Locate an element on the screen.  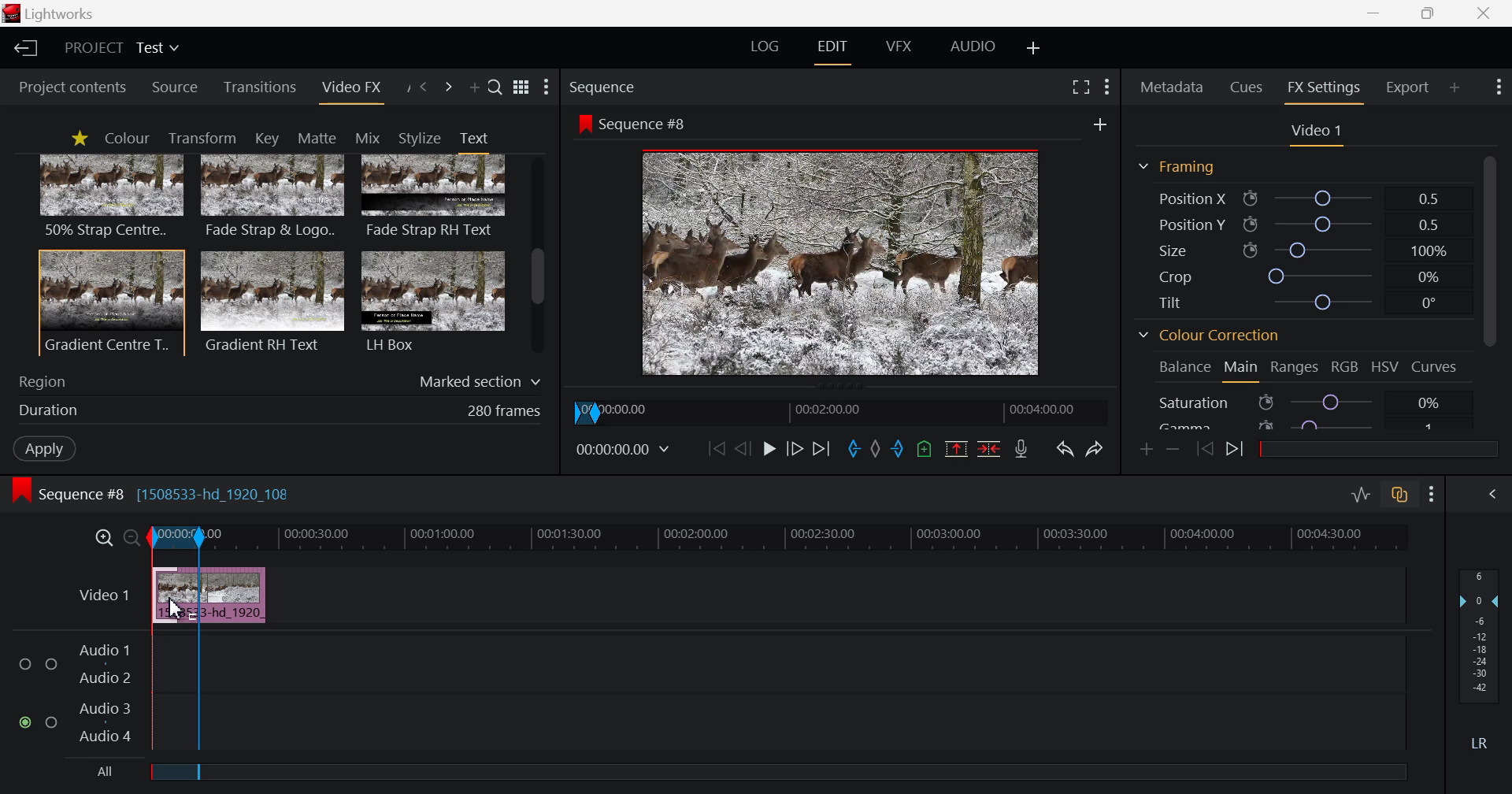
Mark Out is located at coordinates (898, 451).